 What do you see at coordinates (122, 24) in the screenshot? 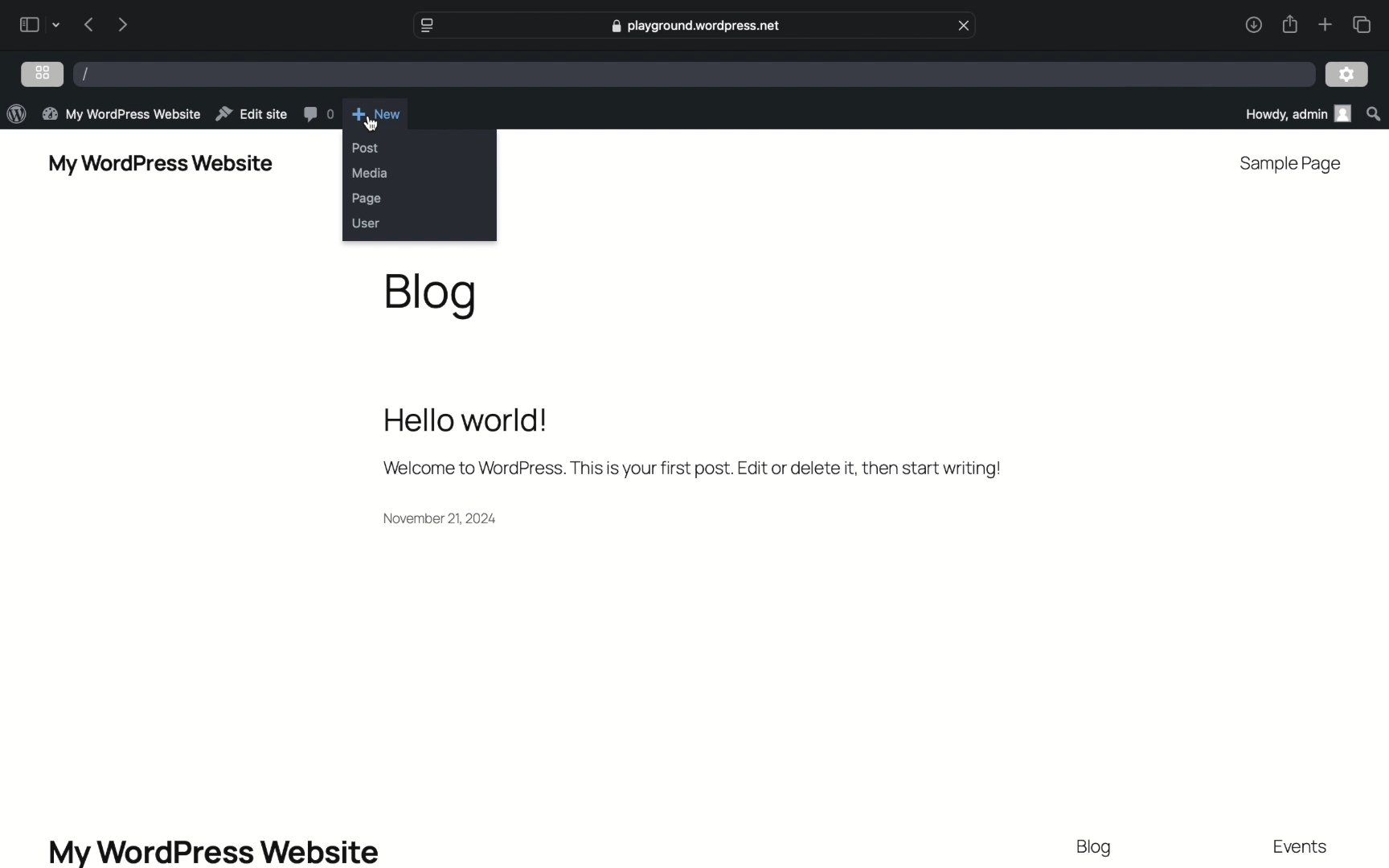
I see `next page` at bounding box center [122, 24].